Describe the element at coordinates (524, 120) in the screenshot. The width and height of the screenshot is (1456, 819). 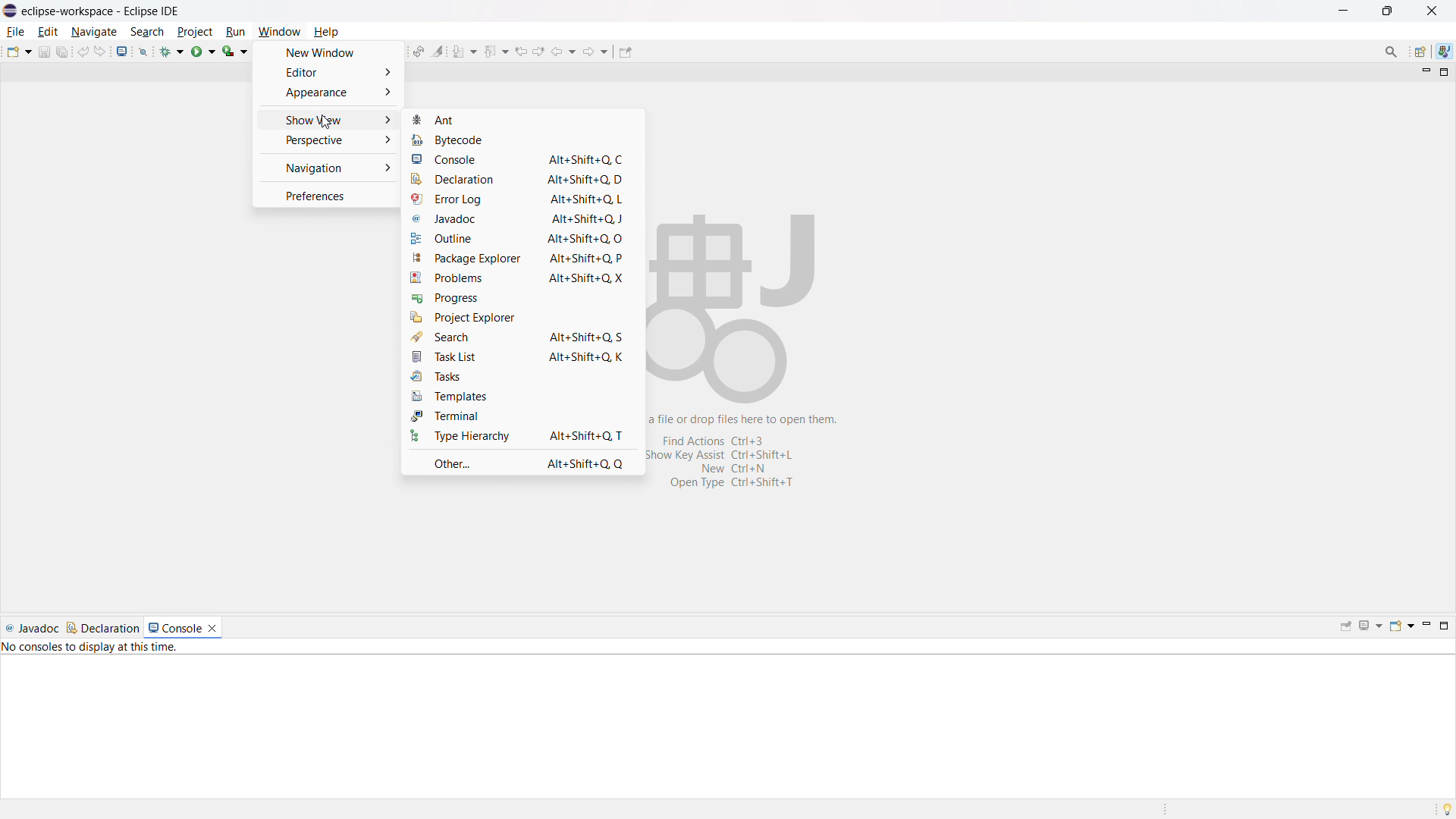
I see `ant` at that location.